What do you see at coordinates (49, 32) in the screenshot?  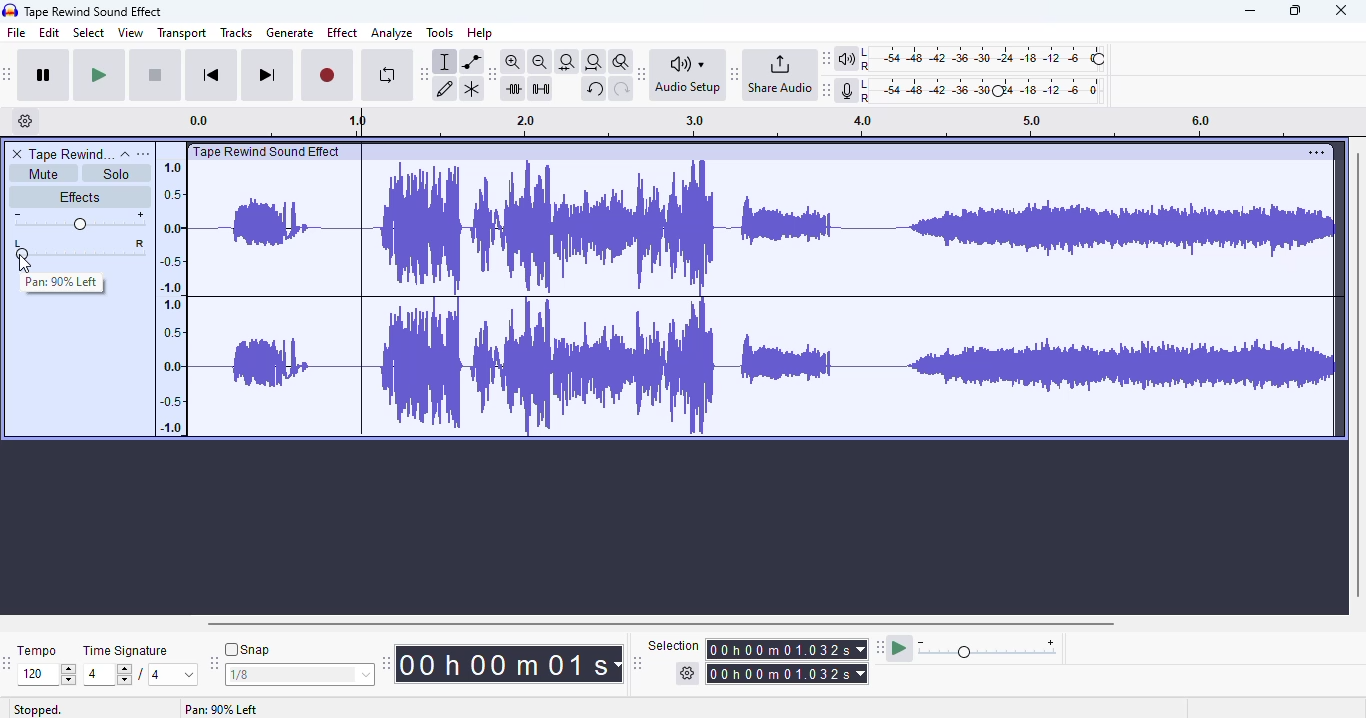 I see `edit` at bounding box center [49, 32].